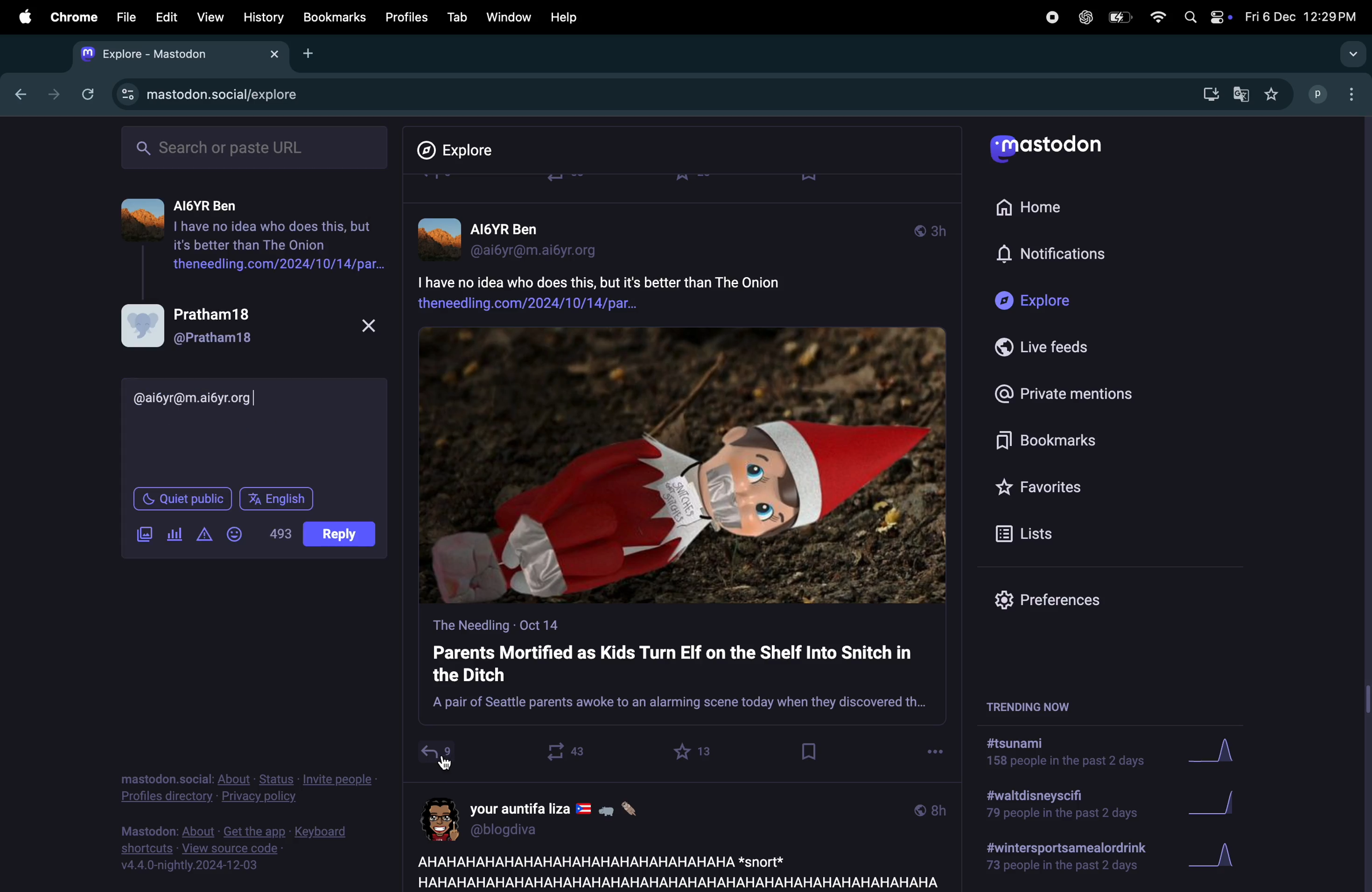  What do you see at coordinates (1299, 17) in the screenshot?
I see `date and time` at bounding box center [1299, 17].